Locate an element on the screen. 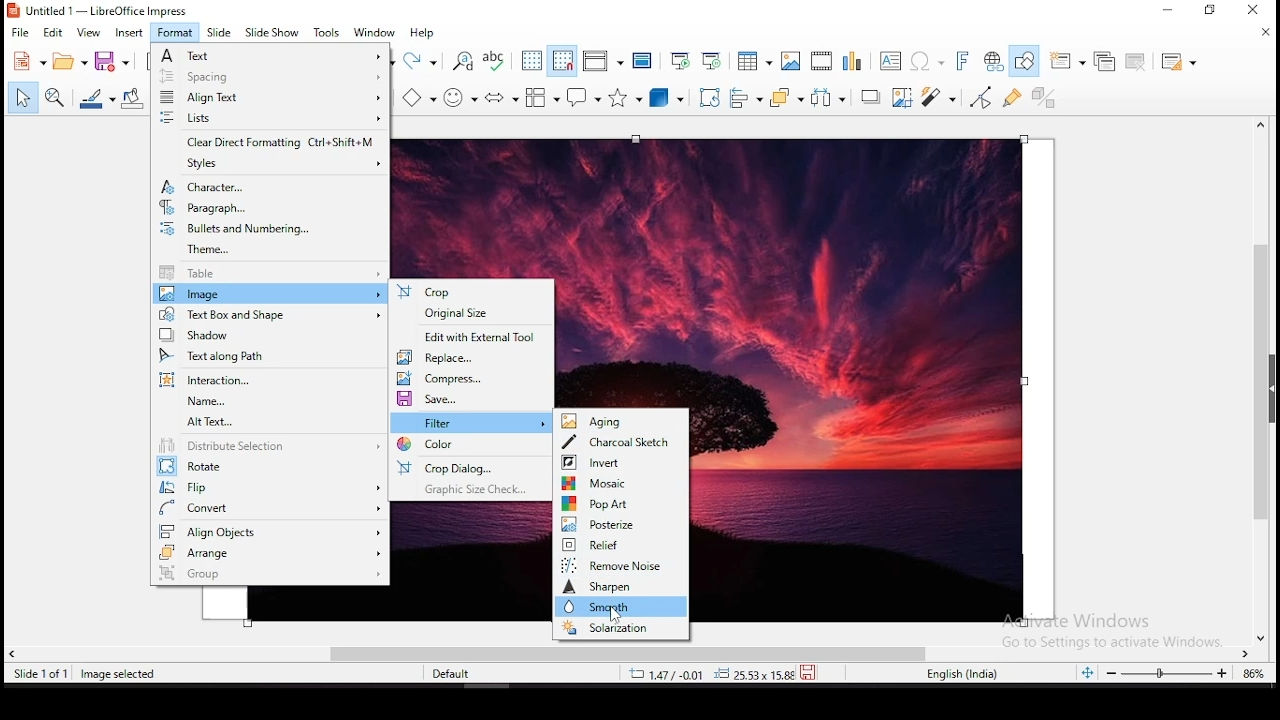 This screenshot has width=1280, height=720. block arrows is located at coordinates (502, 97).